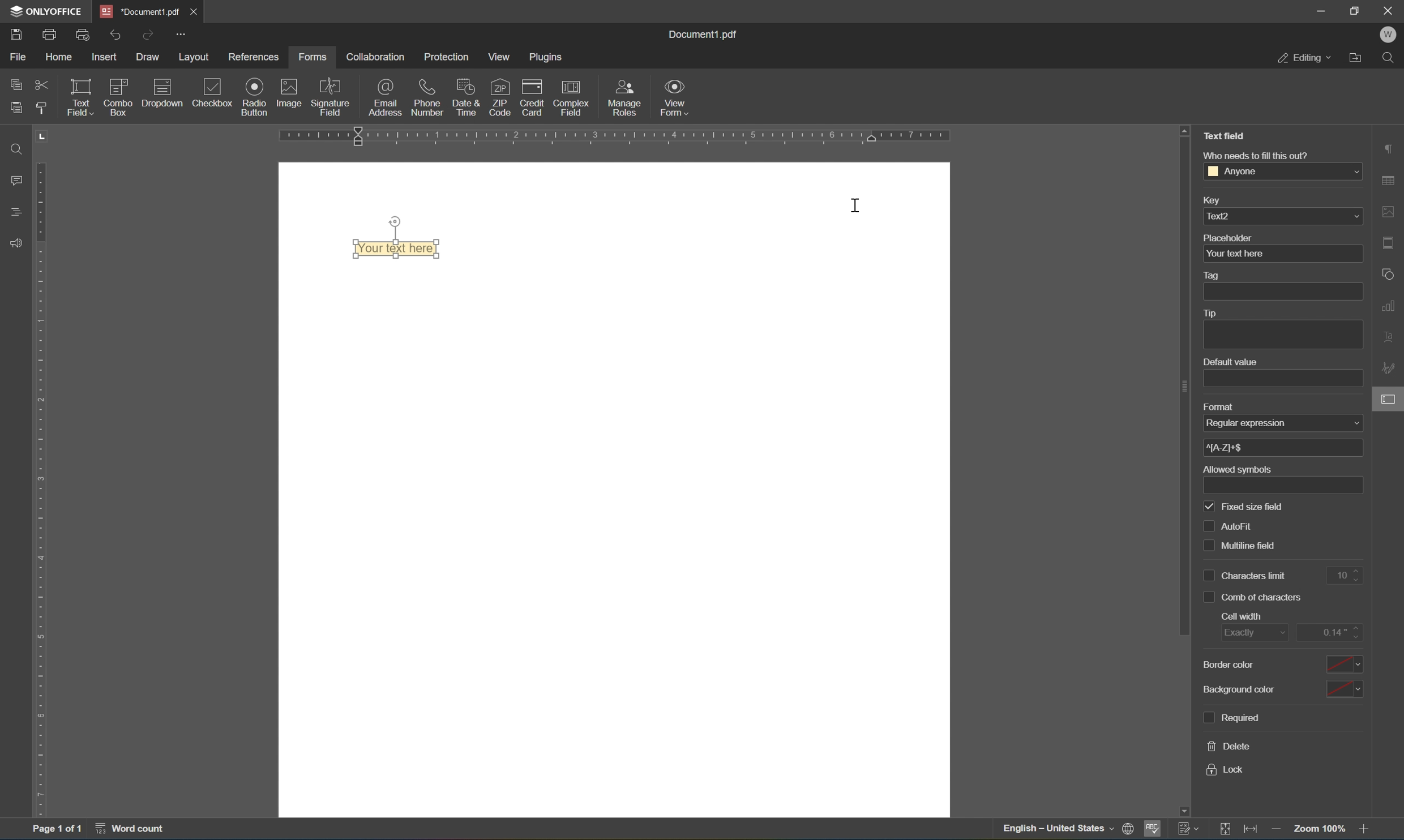 The width and height of the screenshot is (1404, 840). Describe the element at coordinates (1358, 59) in the screenshot. I see `open file location` at that location.